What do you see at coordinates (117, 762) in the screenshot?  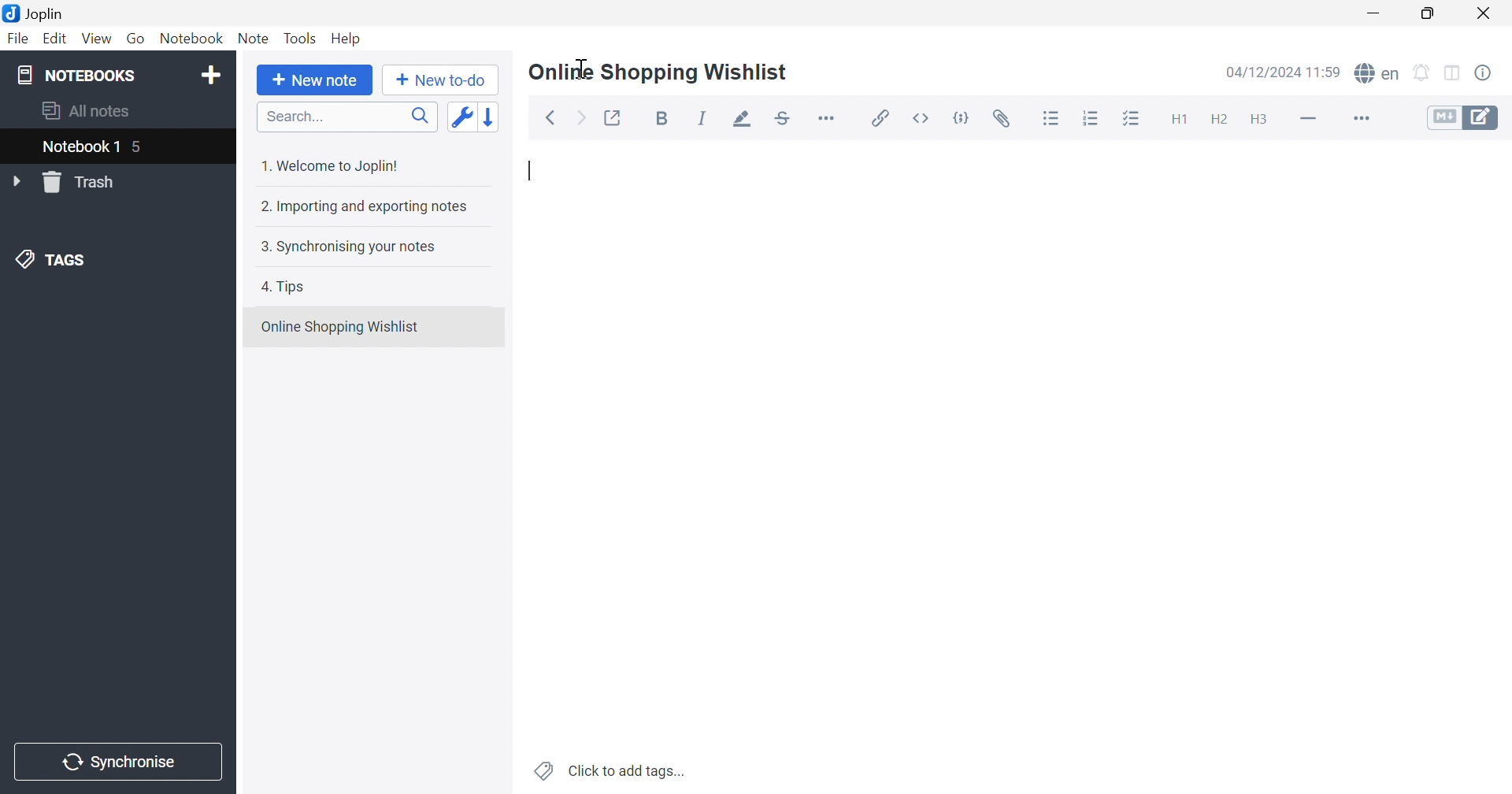 I see `Synchronise` at bounding box center [117, 762].